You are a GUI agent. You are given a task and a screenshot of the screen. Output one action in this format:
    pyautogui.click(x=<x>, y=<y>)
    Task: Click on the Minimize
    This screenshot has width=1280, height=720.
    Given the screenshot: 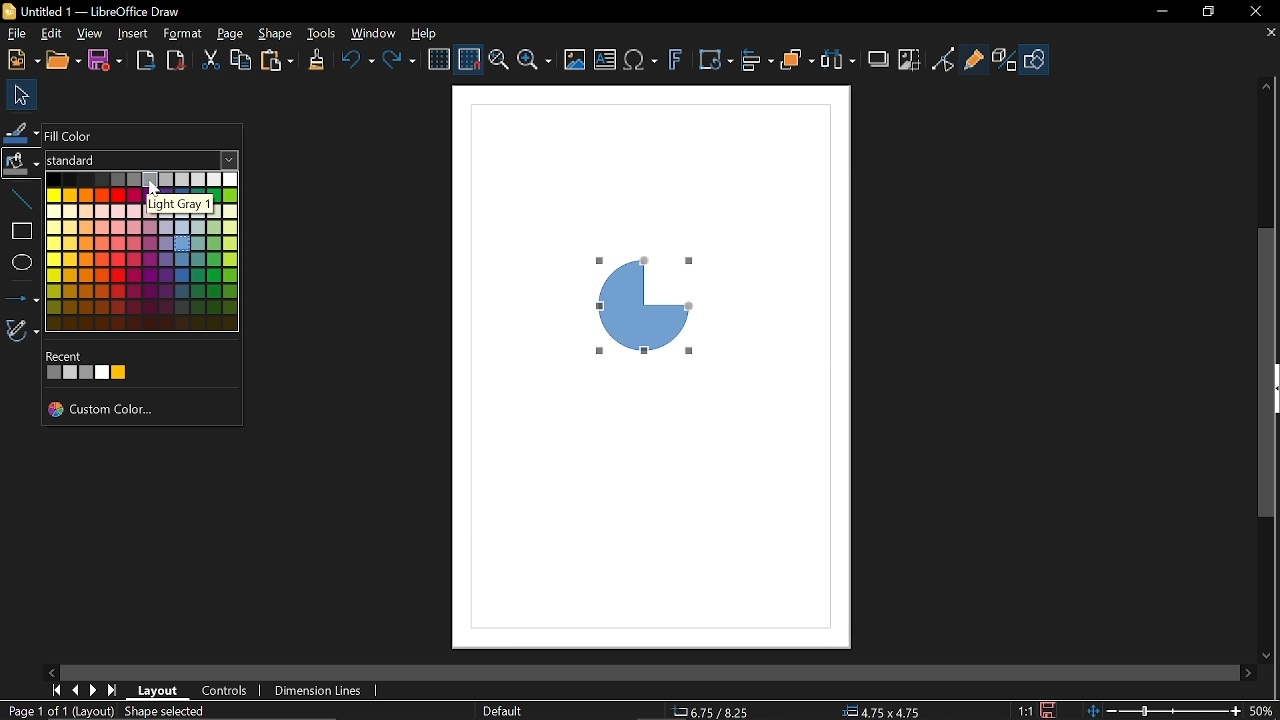 What is the action you would take?
    pyautogui.click(x=1162, y=13)
    